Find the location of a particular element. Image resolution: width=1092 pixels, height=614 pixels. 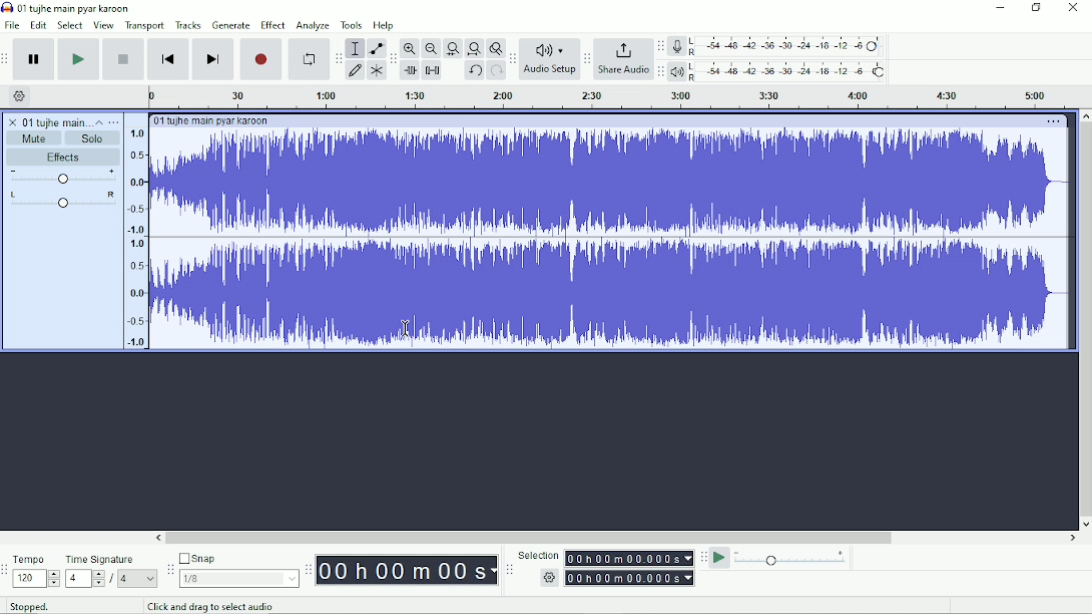

Zoom In is located at coordinates (408, 47).